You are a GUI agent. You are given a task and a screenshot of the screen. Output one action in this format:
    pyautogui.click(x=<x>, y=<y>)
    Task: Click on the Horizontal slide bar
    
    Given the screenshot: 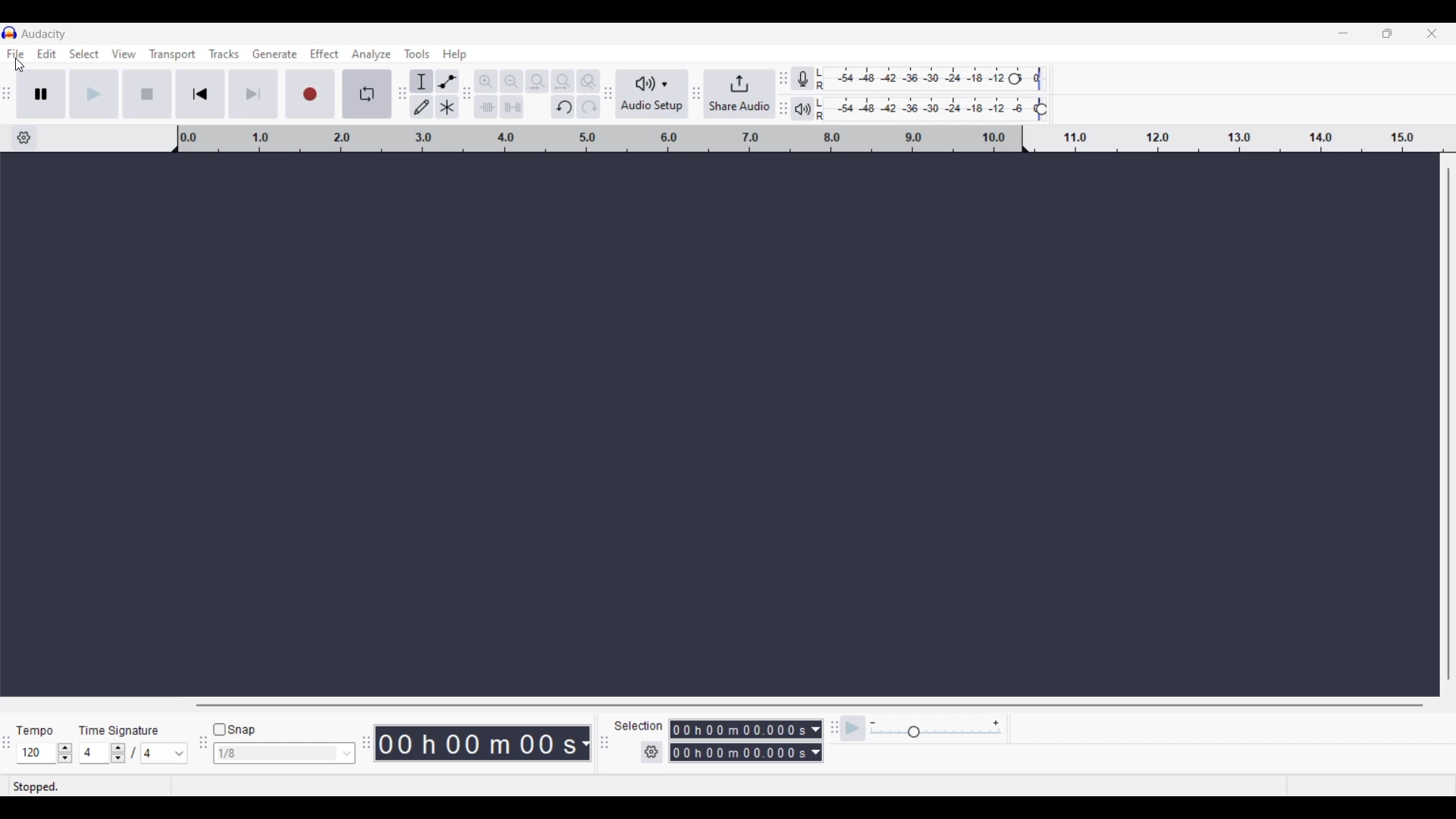 What is the action you would take?
    pyautogui.click(x=808, y=706)
    